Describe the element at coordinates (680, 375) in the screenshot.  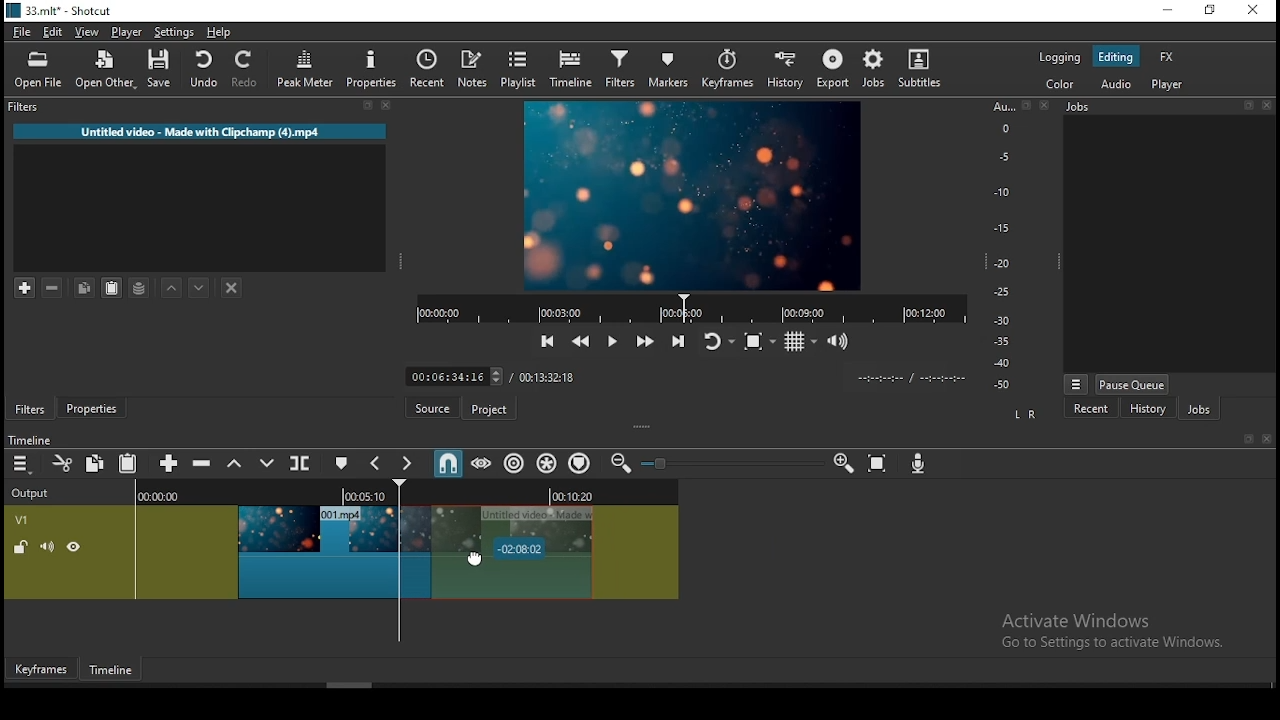
I see `` at that location.